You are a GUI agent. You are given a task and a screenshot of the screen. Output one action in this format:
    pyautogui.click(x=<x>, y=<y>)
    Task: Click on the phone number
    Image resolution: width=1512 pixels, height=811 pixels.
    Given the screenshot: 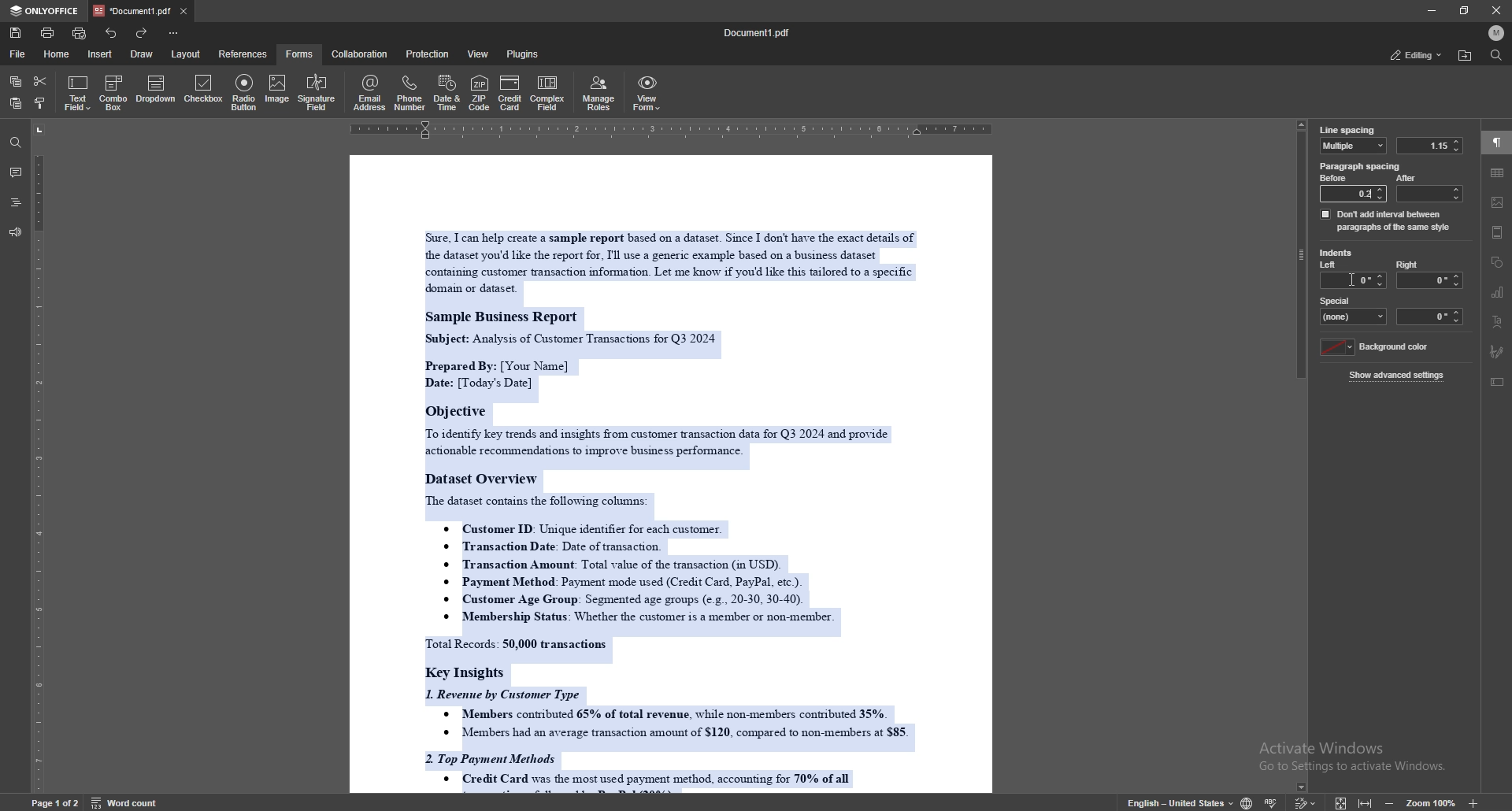 What is the action you would take?
    pyautogui.click(x=411, y=93)
    